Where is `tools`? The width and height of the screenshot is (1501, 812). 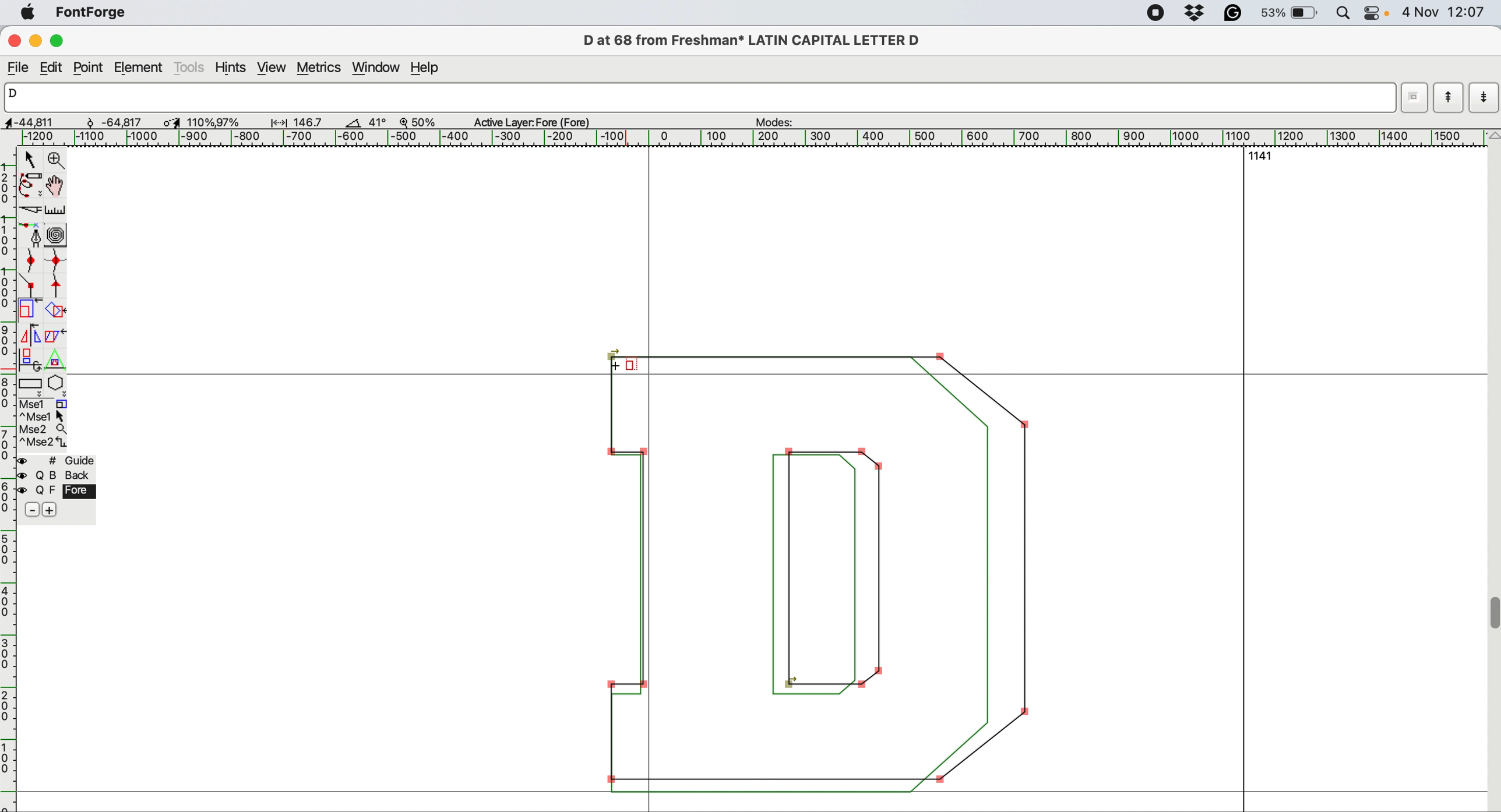 tools is located at coordinates (190, 68).